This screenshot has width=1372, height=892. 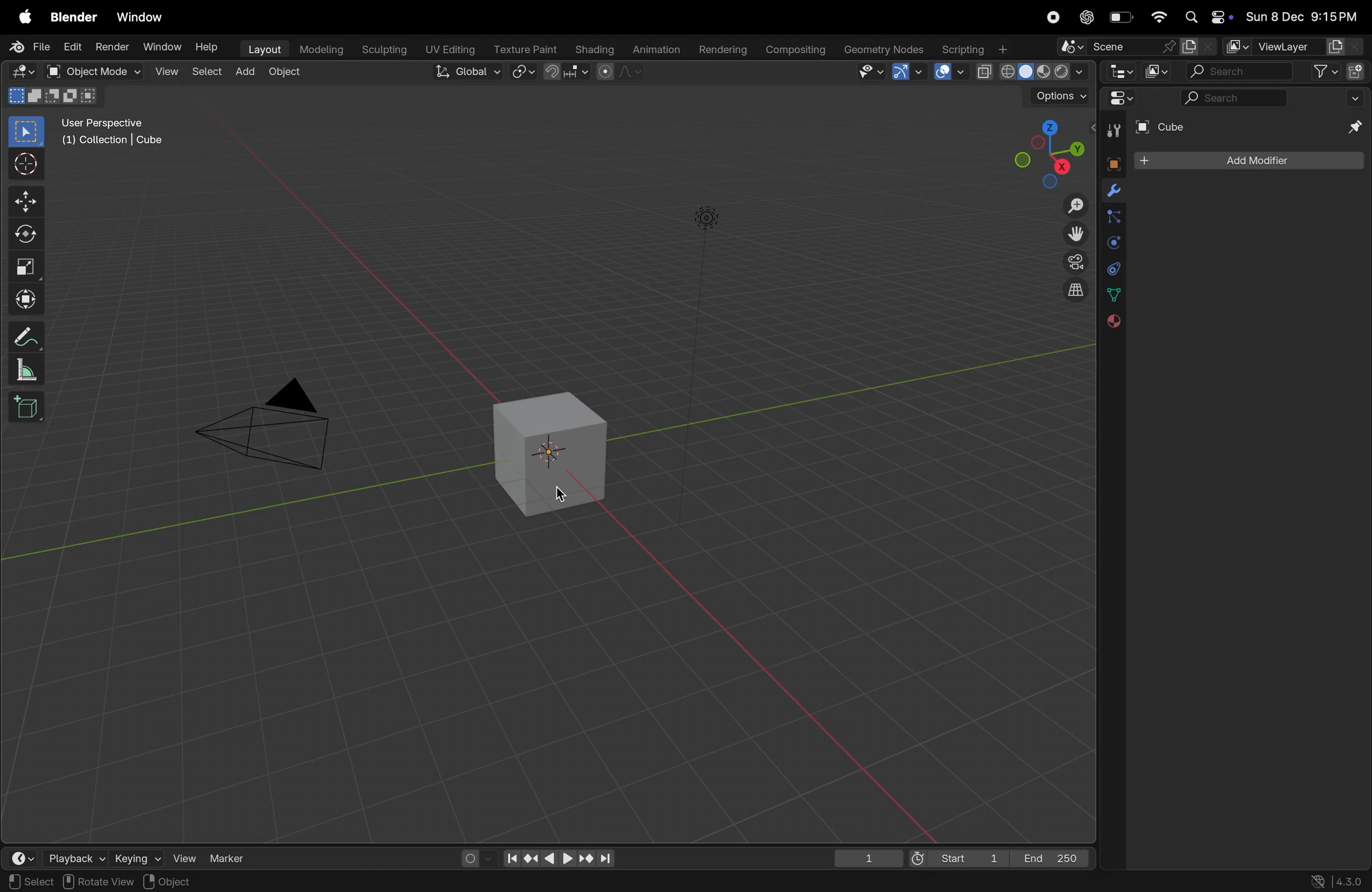 I want to click on annotate, so click(x=26, y=337).